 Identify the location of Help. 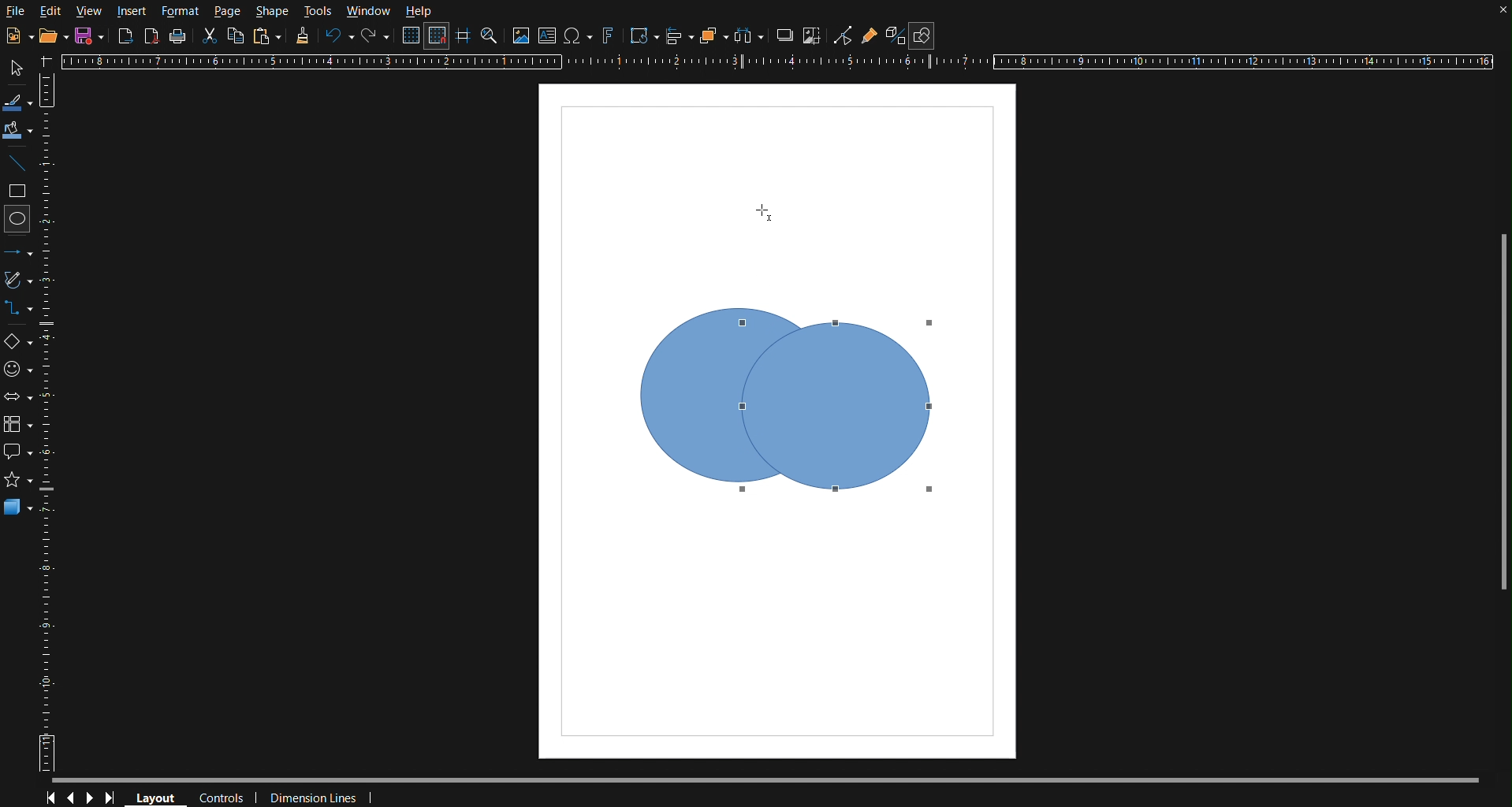
(418, 12).